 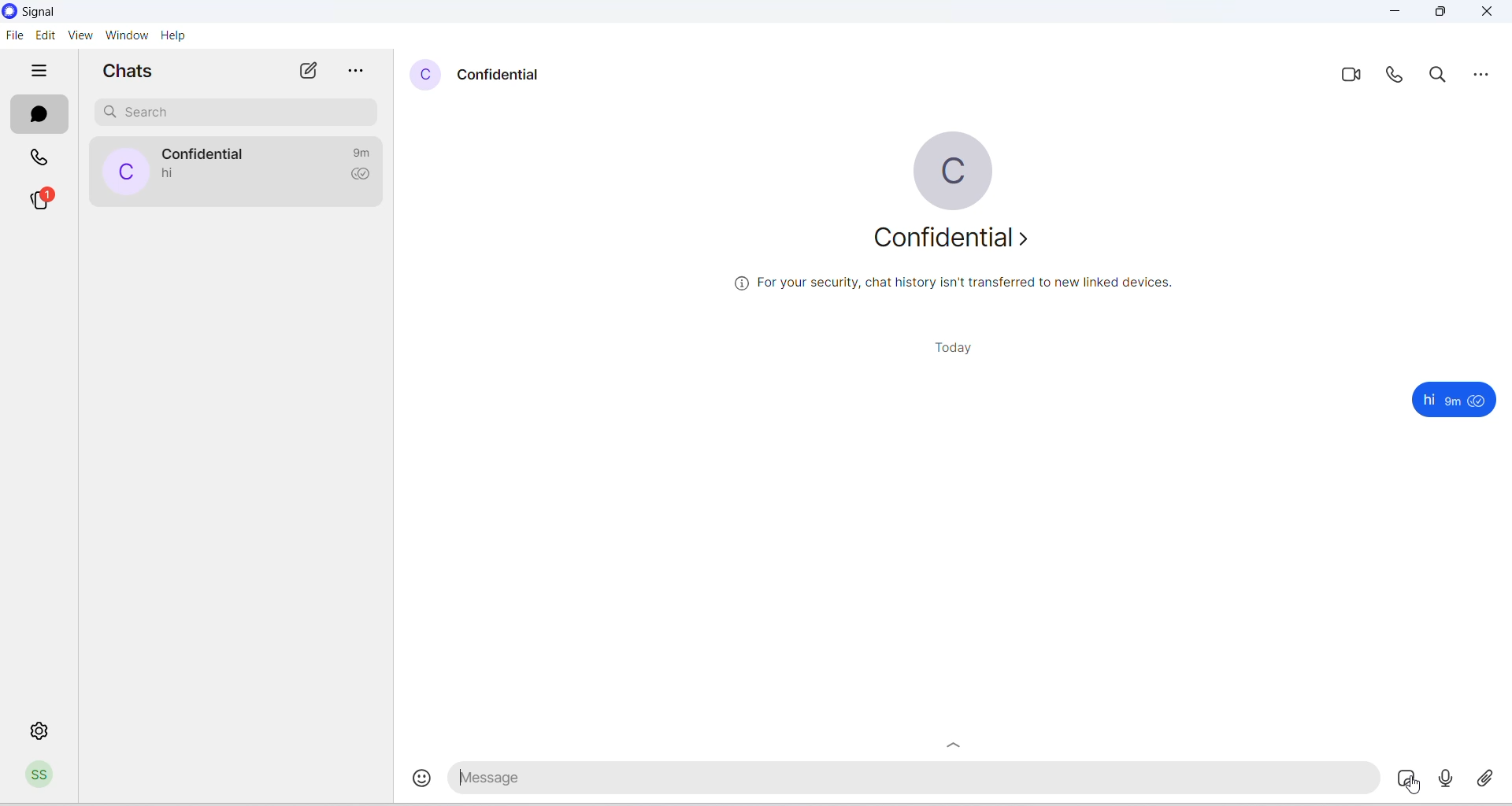 I want to click on read recipient , so click(x=365, y=177).